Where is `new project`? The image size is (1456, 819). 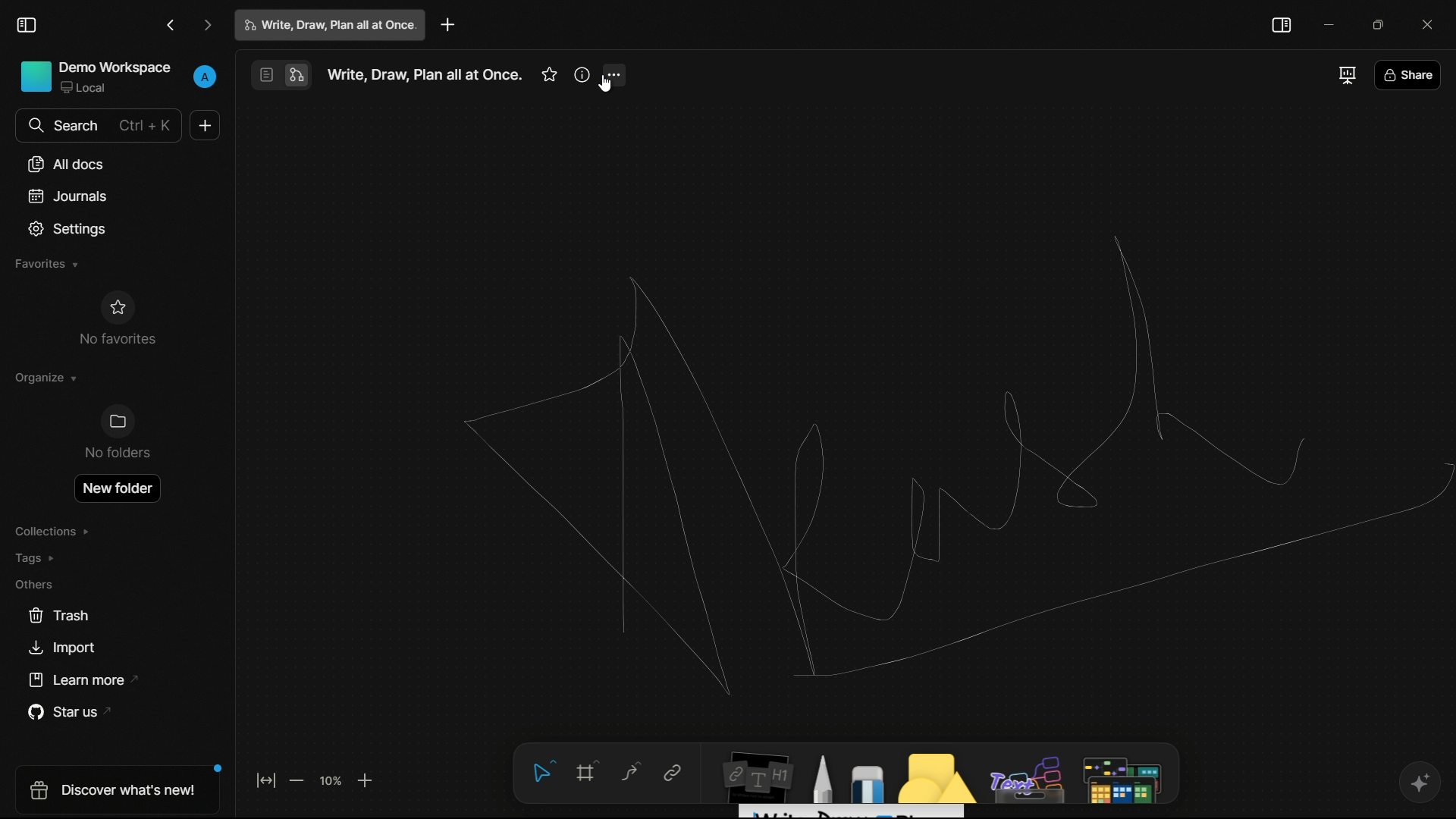
new project is located at coordinates (448, 27).